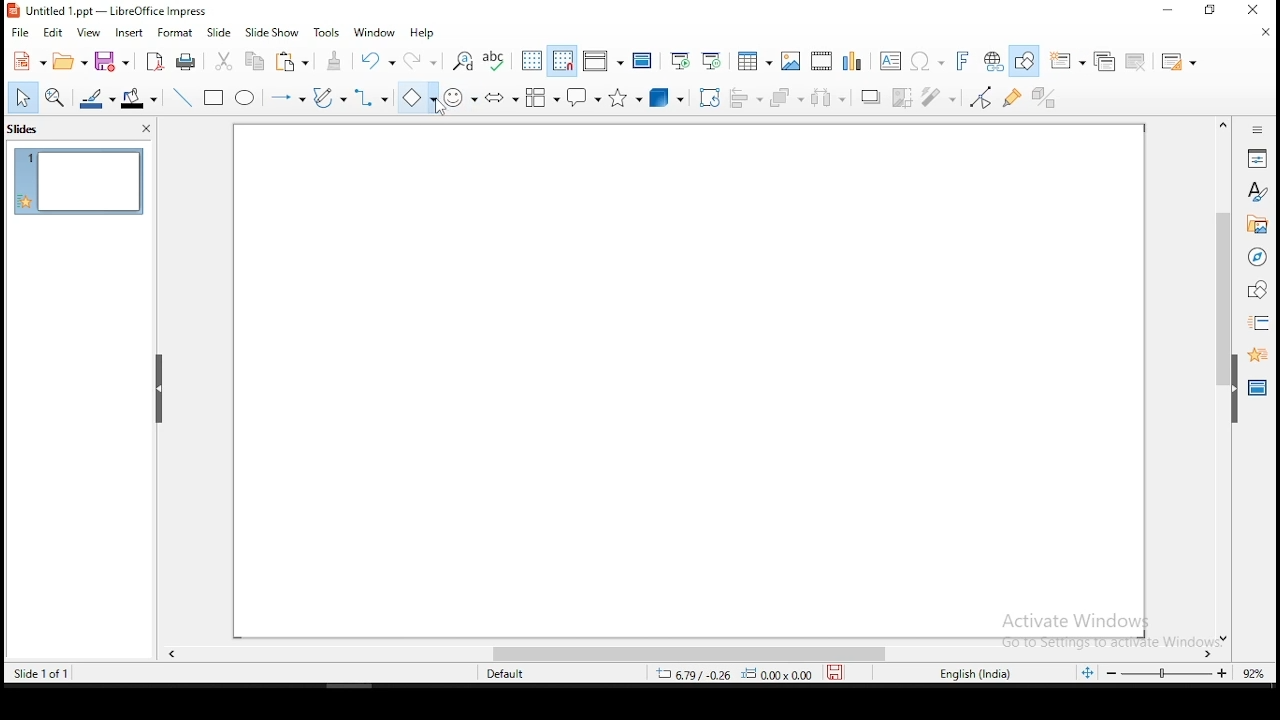 This screenshot has height=720, width=1280. I want to click on align objects, so click(745, 99).